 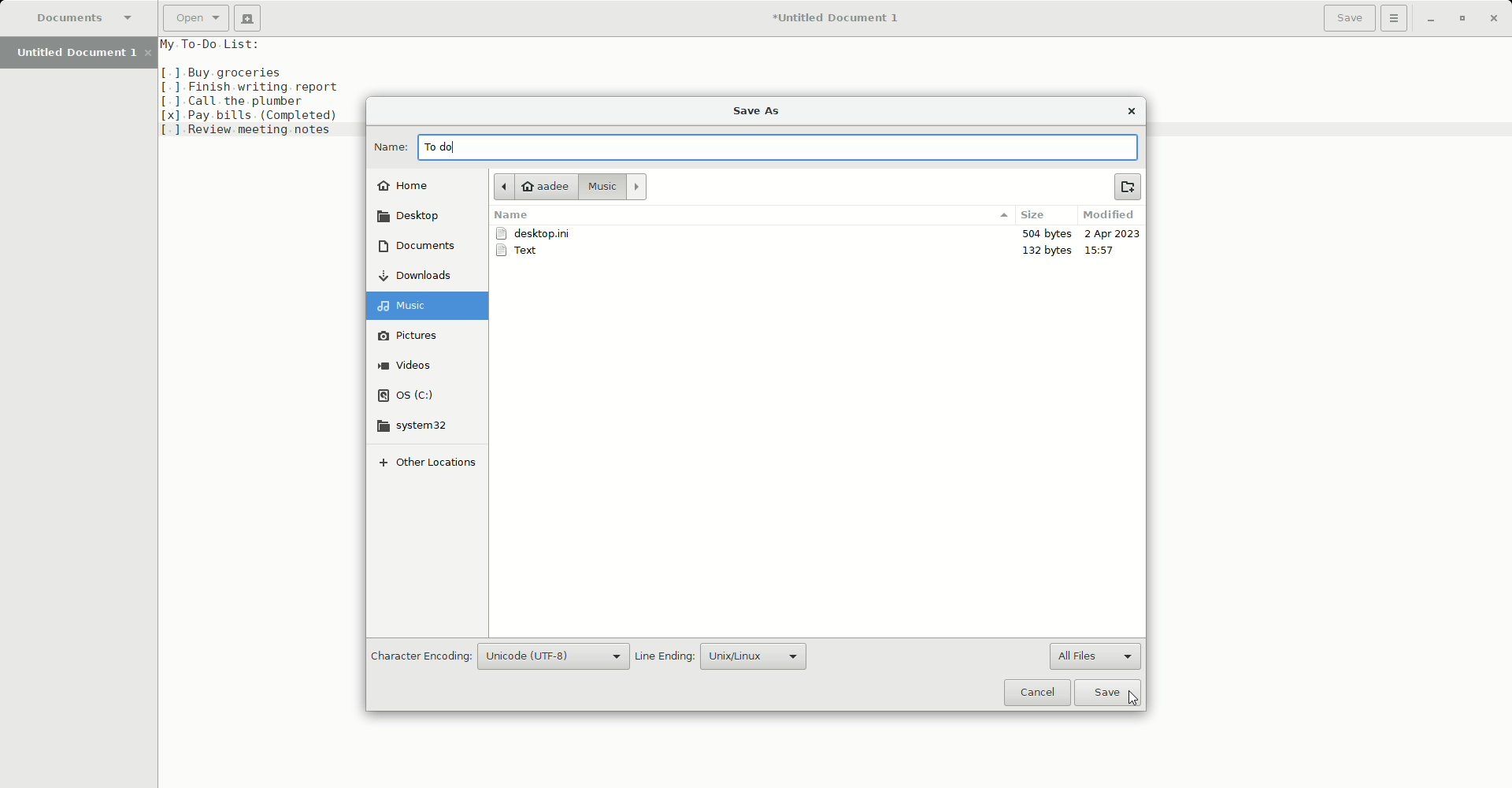 I want to click on Unicode, so click(x=557, y=656).